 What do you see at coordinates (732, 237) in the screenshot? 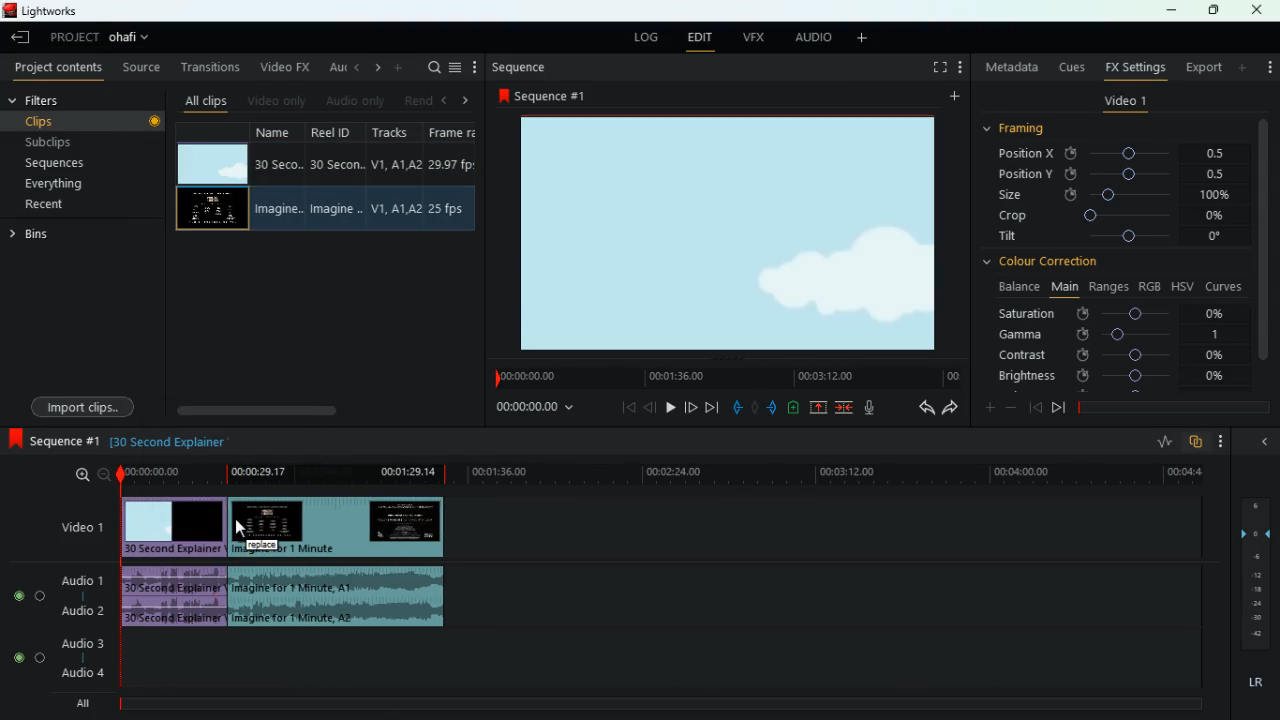
I see `screen` at bounding box center [732, 237].